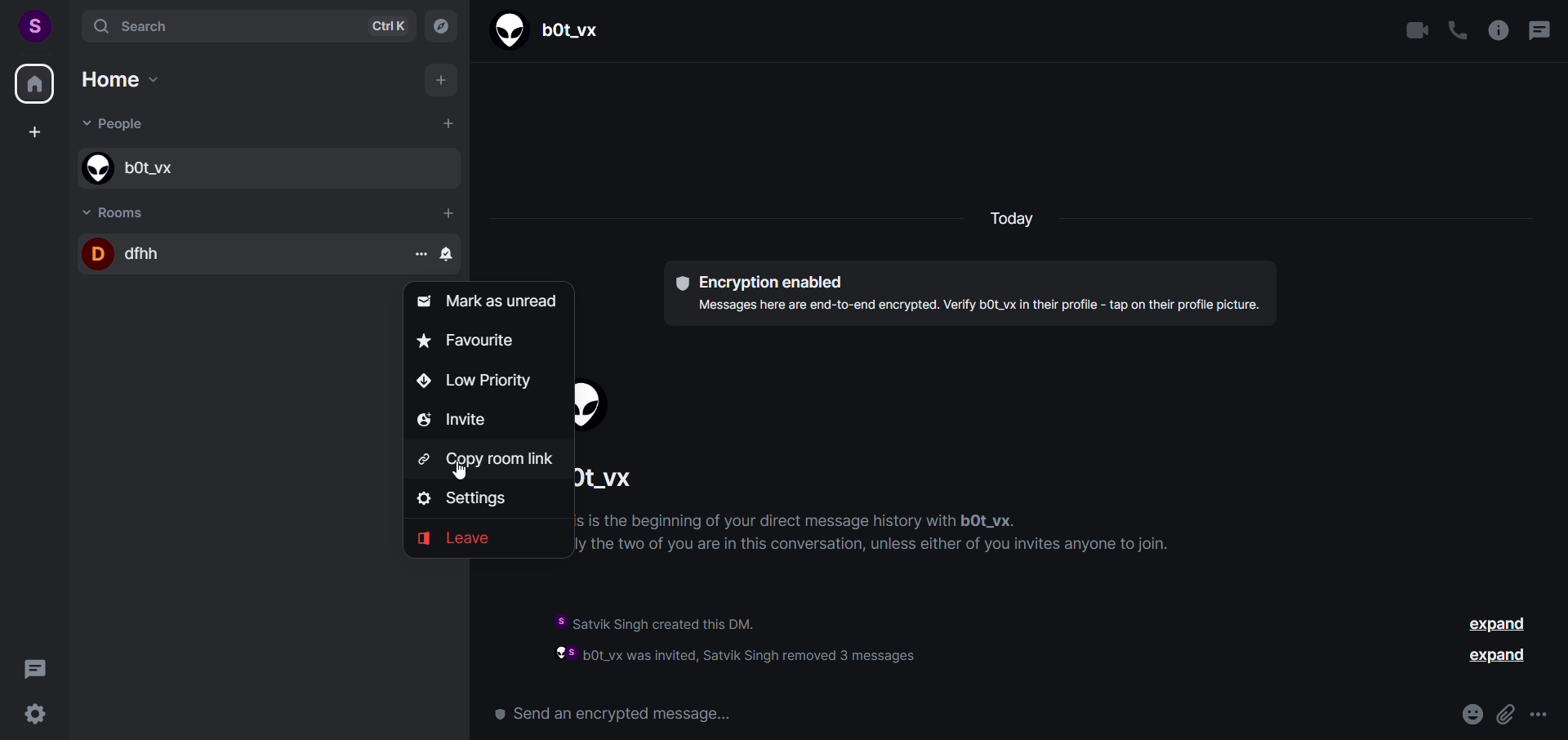 This screenshot has height=740, width=1568. I want to click on people name, so click(553, 32).